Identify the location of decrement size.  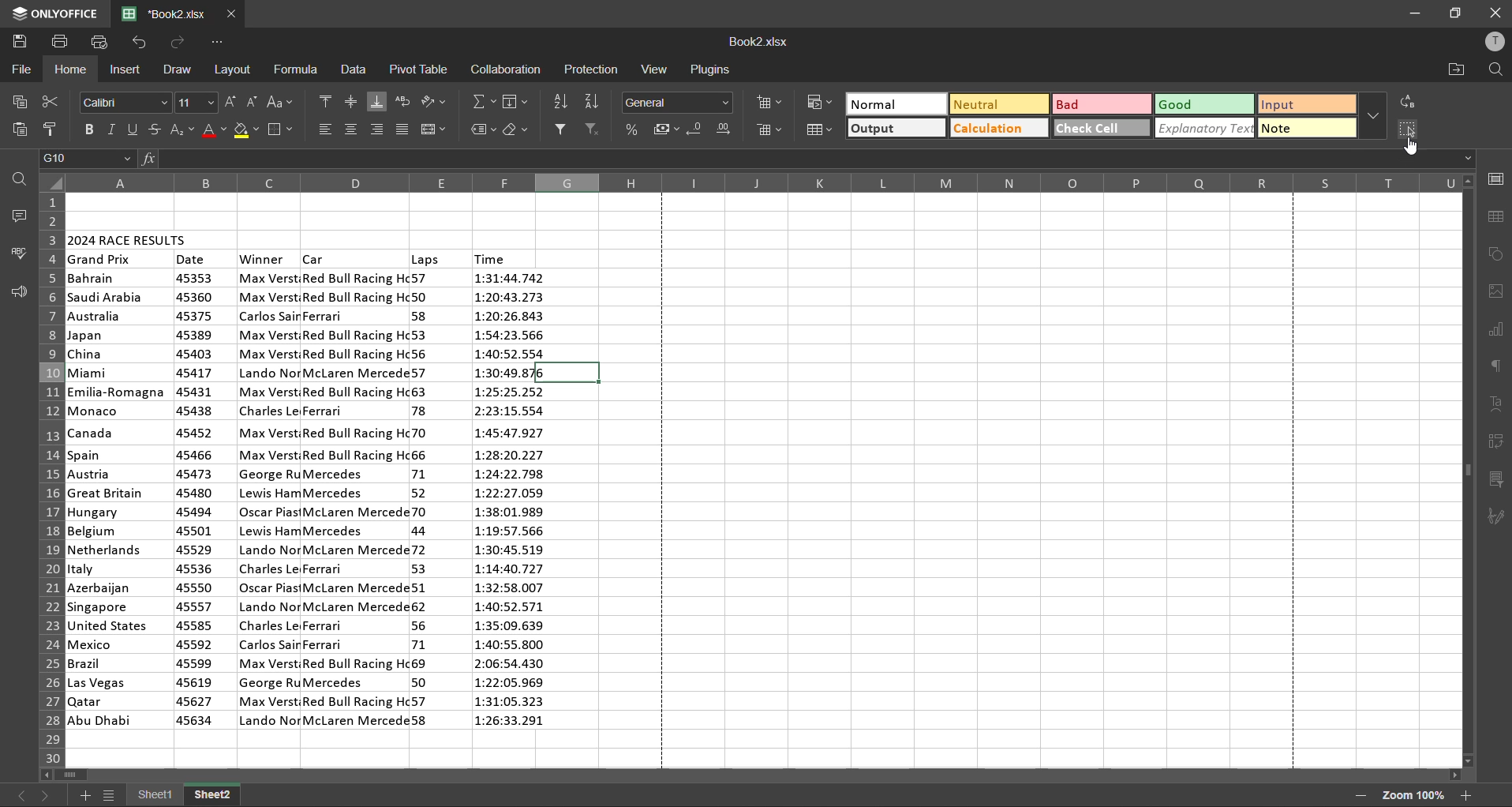
(253, 103).